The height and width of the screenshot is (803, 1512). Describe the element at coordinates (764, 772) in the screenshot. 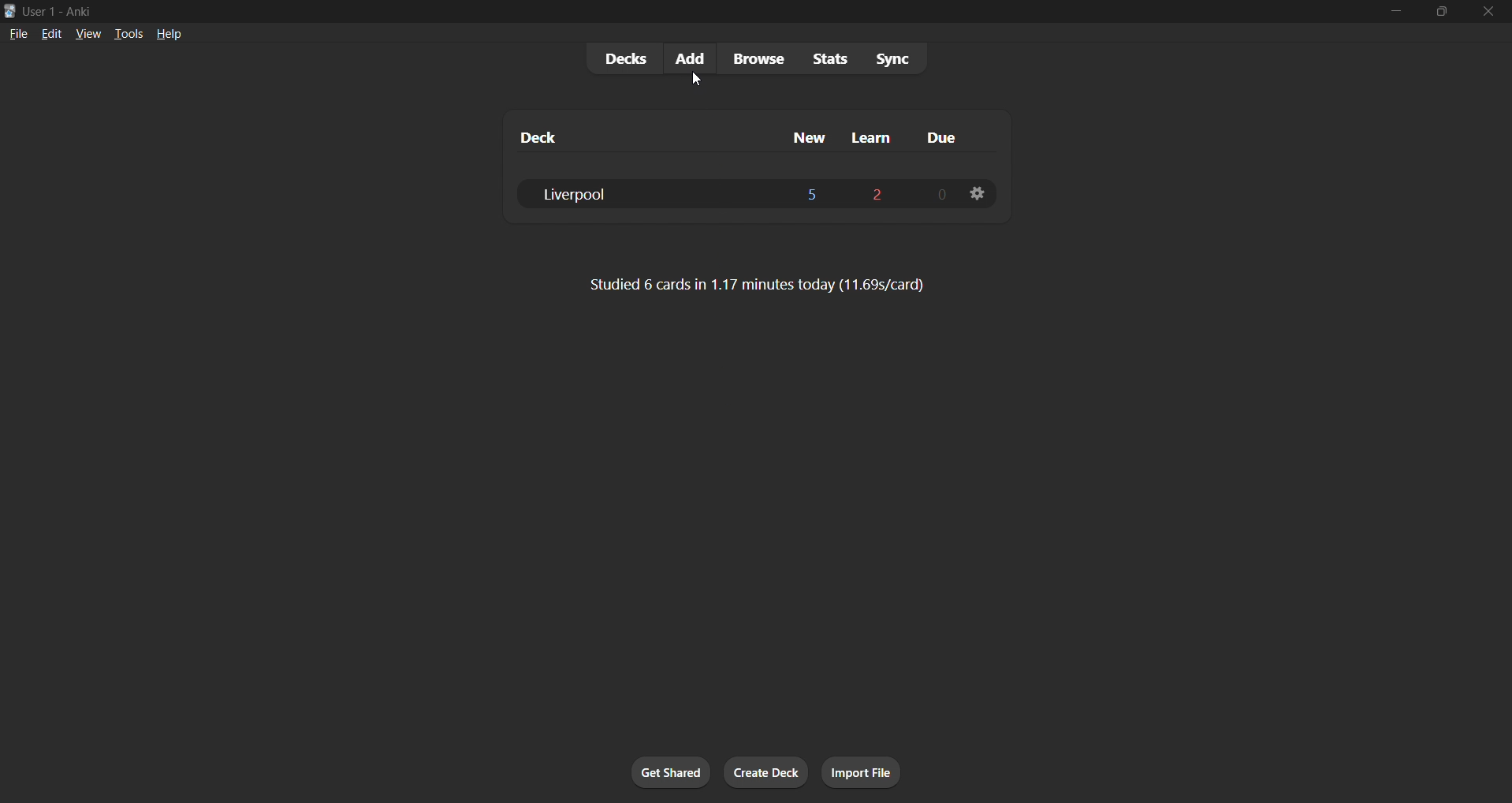

I see `create deck` at that location.